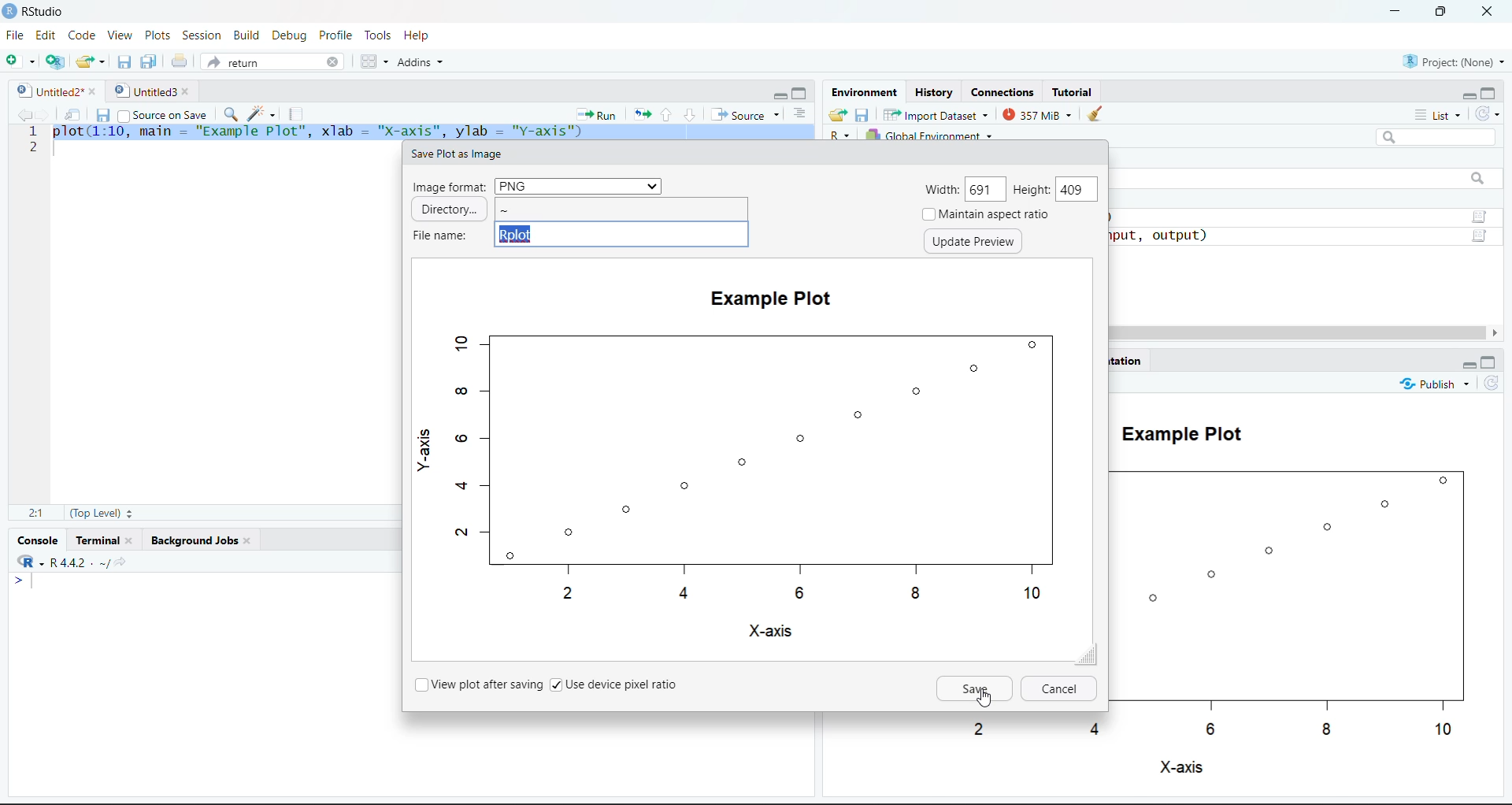  I want to click on plot(1:10, main = "Example Plot", xlab = "X-axis", ylab = "y-axis"), so click(432, 132).